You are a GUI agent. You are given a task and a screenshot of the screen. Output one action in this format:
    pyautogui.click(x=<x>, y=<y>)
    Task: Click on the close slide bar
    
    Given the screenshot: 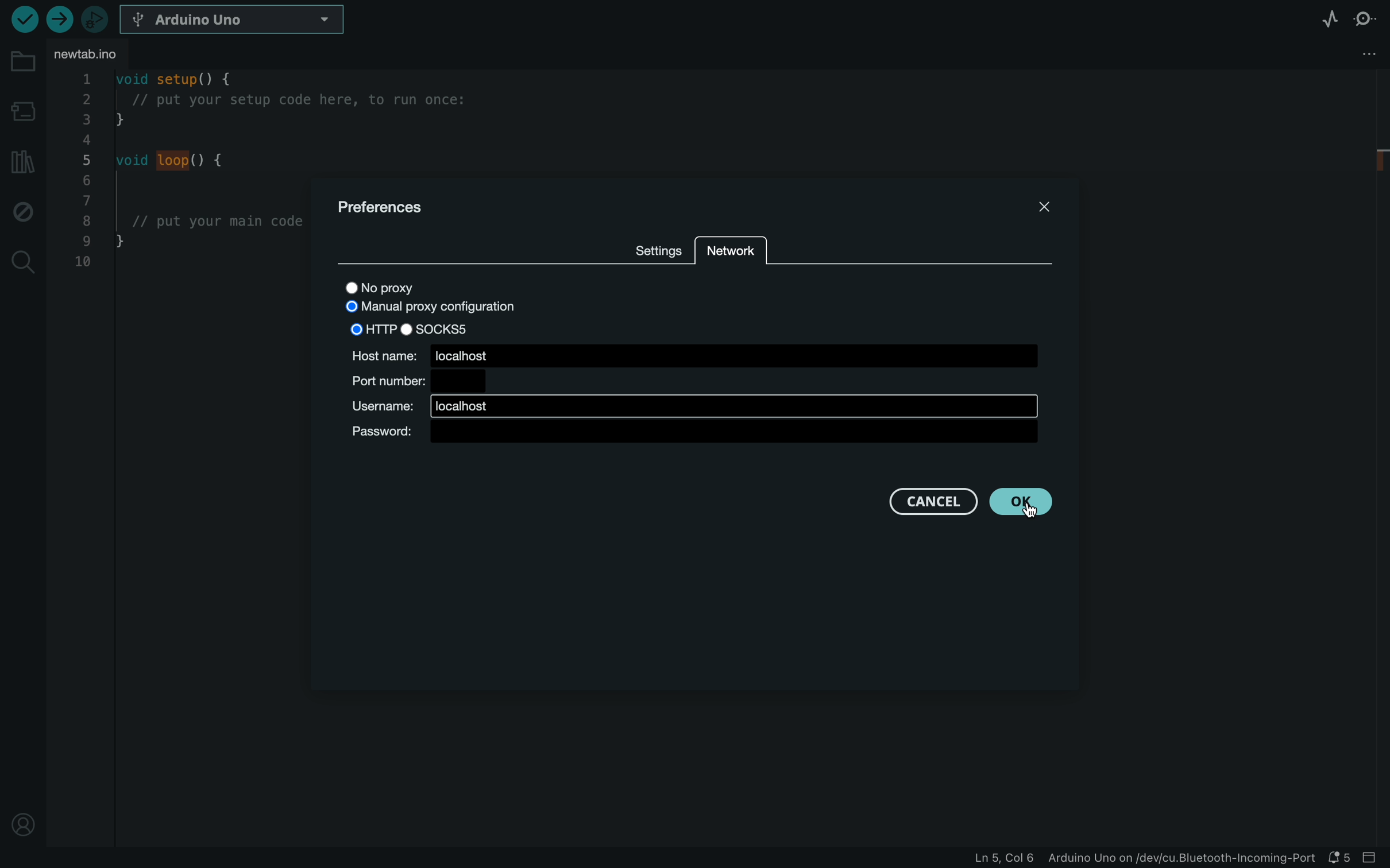 What is the action you would take?
    pyautogui.click(x=1373, y=858)
    